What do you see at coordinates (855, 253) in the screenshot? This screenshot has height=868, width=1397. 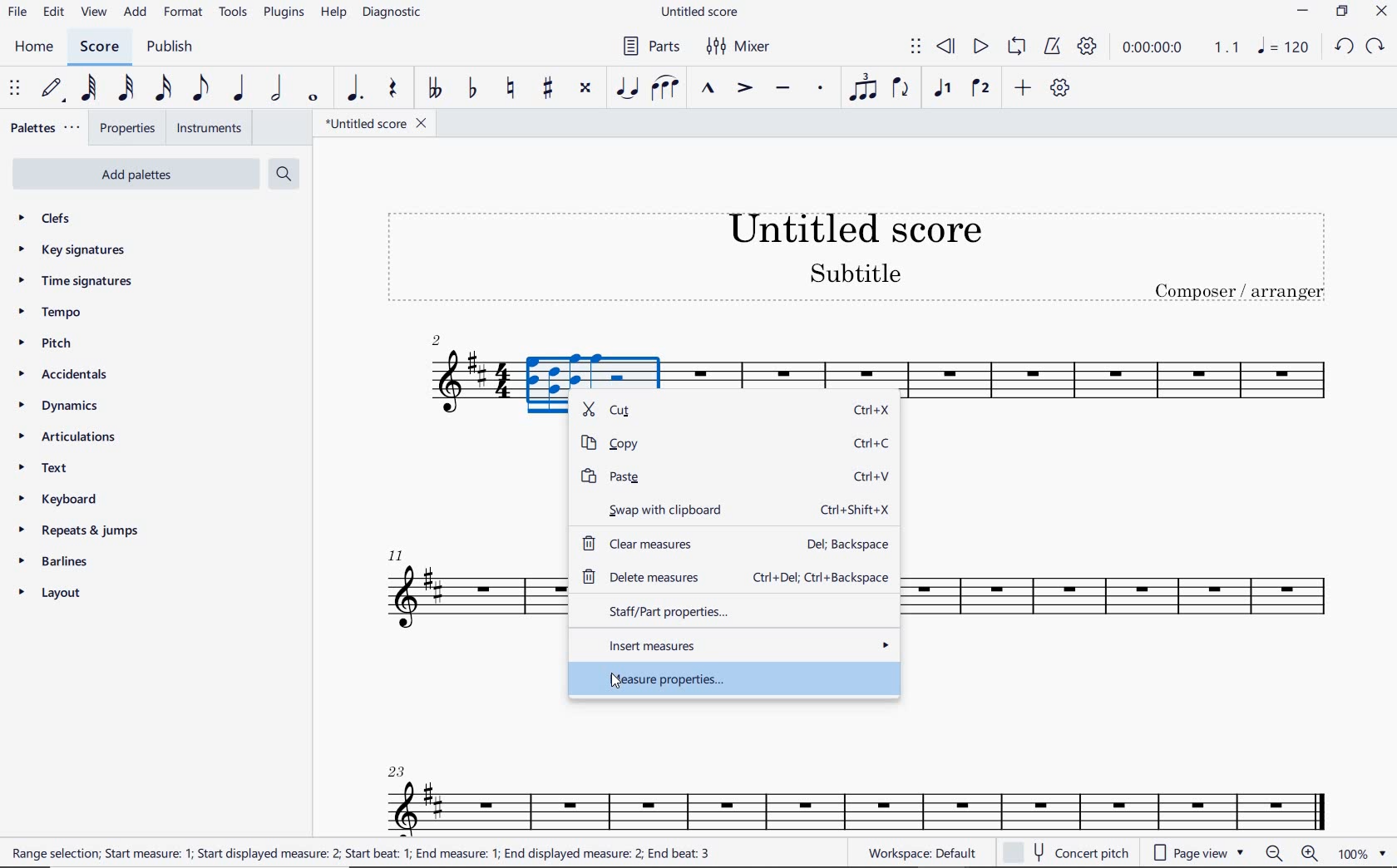 I see `title` at bounding box center [855, 253].